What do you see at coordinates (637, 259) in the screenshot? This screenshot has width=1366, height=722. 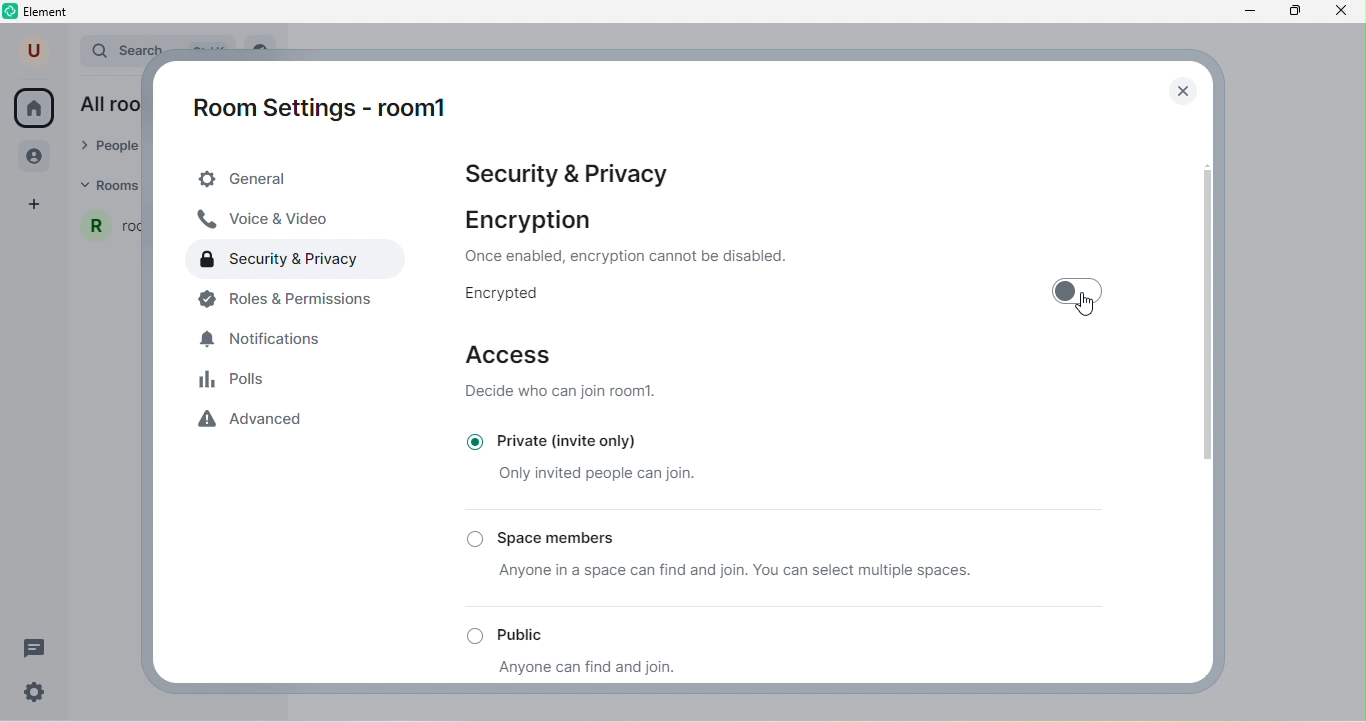 I see `text on encryption` at bounding box center [637, 259].